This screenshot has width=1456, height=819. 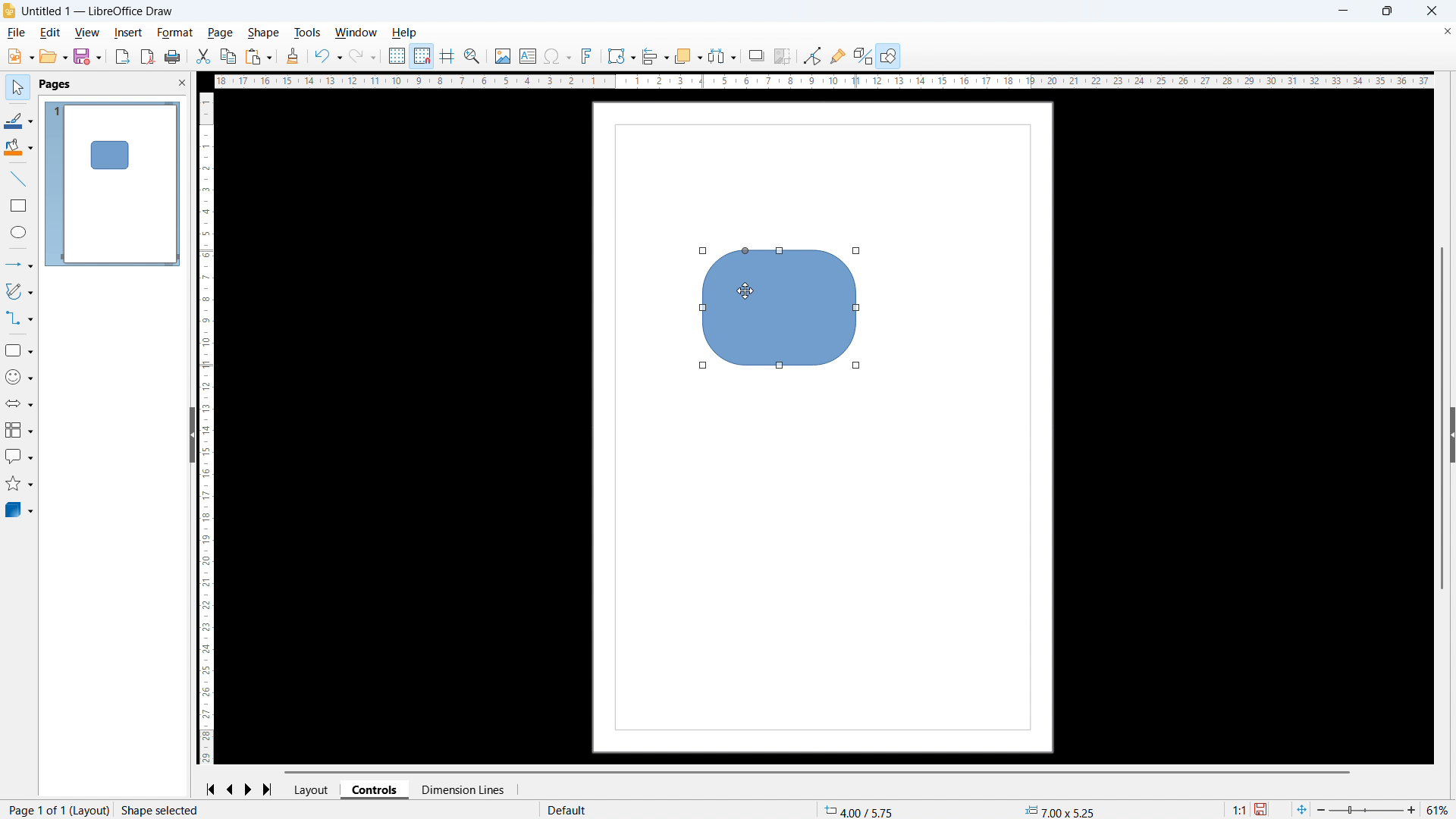 I want to click on Controls , so click(x=376, y=789).